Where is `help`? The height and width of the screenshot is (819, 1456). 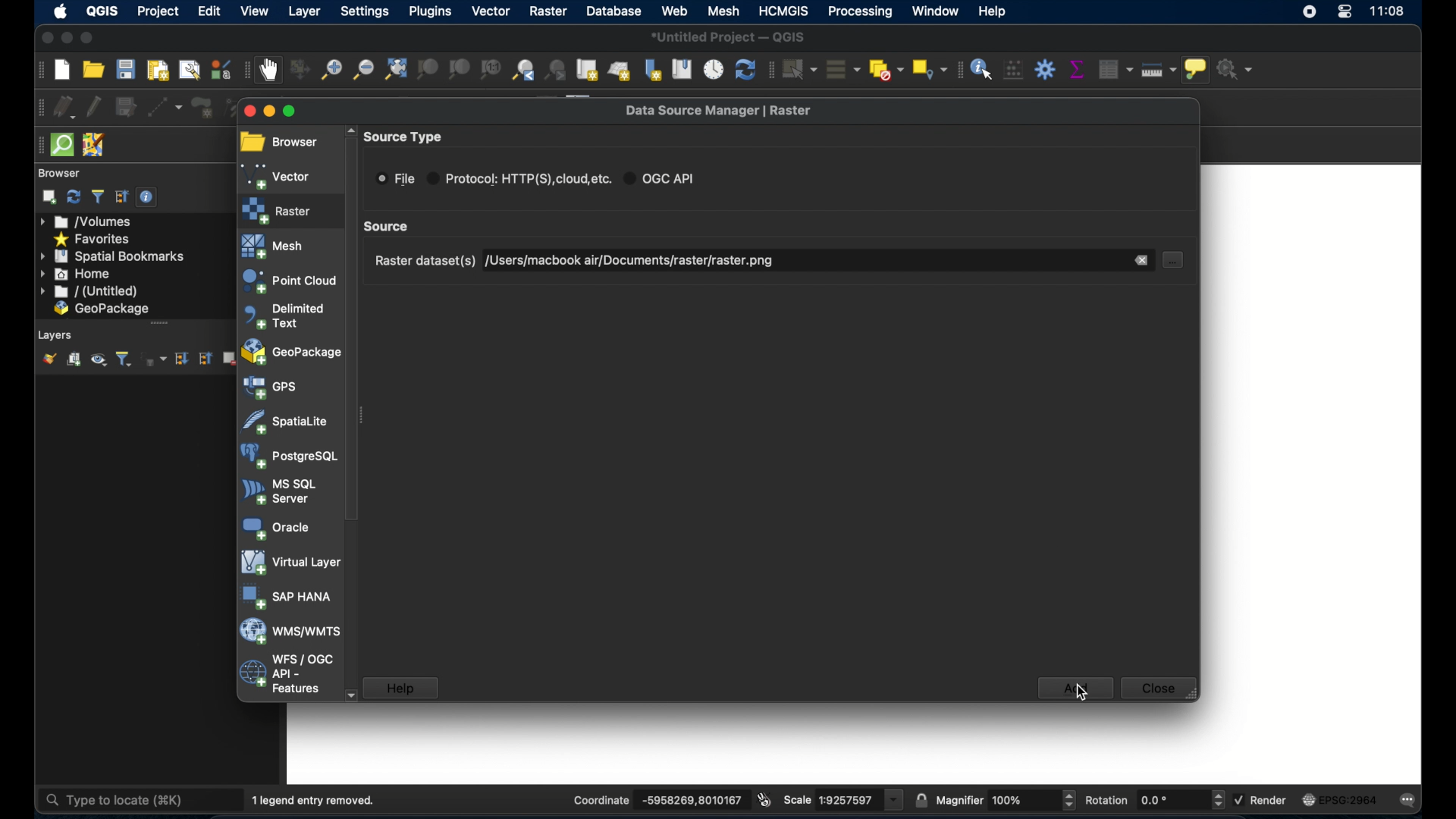 help is located at coordinates (403, 688).